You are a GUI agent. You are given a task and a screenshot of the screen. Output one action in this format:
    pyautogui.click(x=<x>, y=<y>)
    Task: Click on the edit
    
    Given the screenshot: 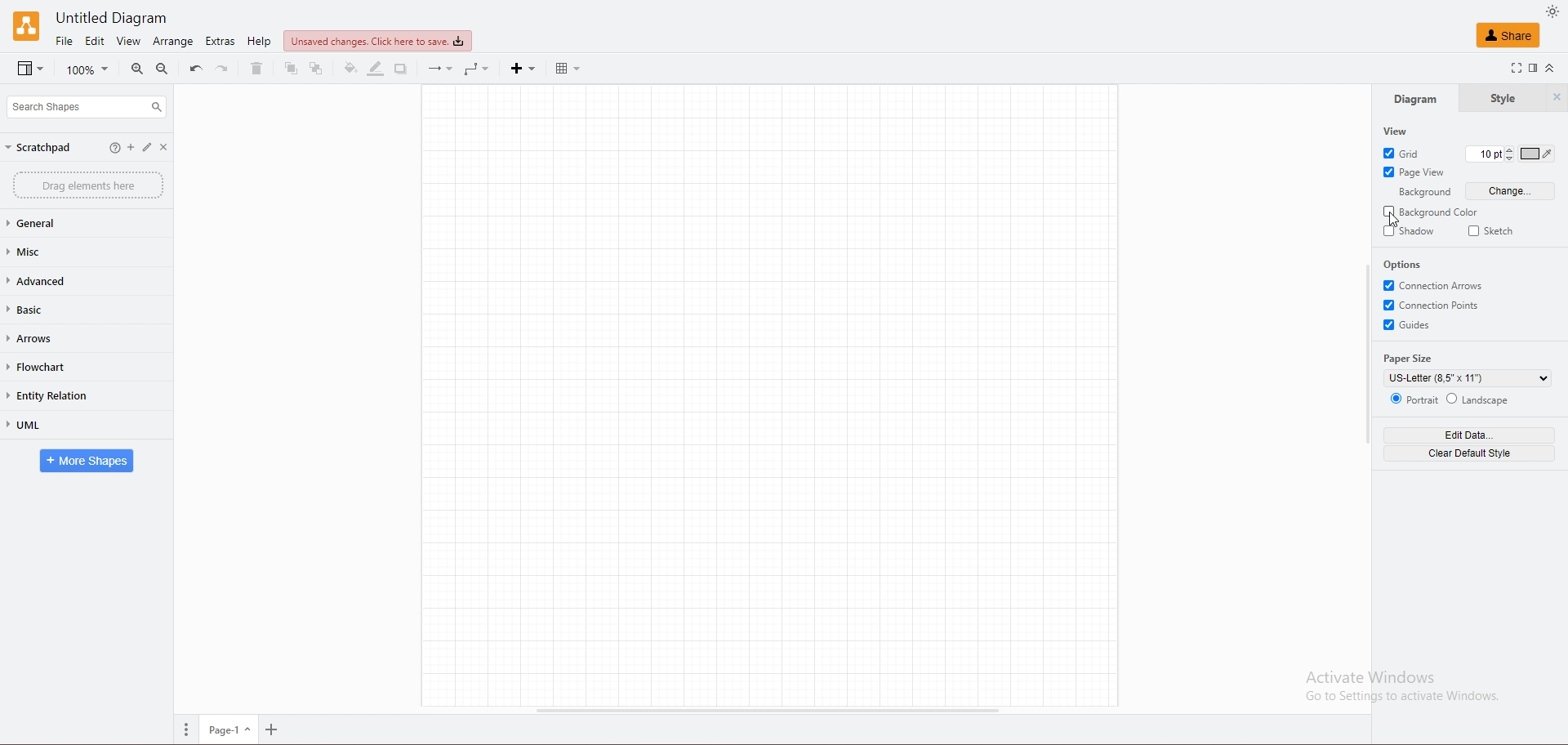 What is the action you would take?
    pyautogui.click(x=151, y=149)
    